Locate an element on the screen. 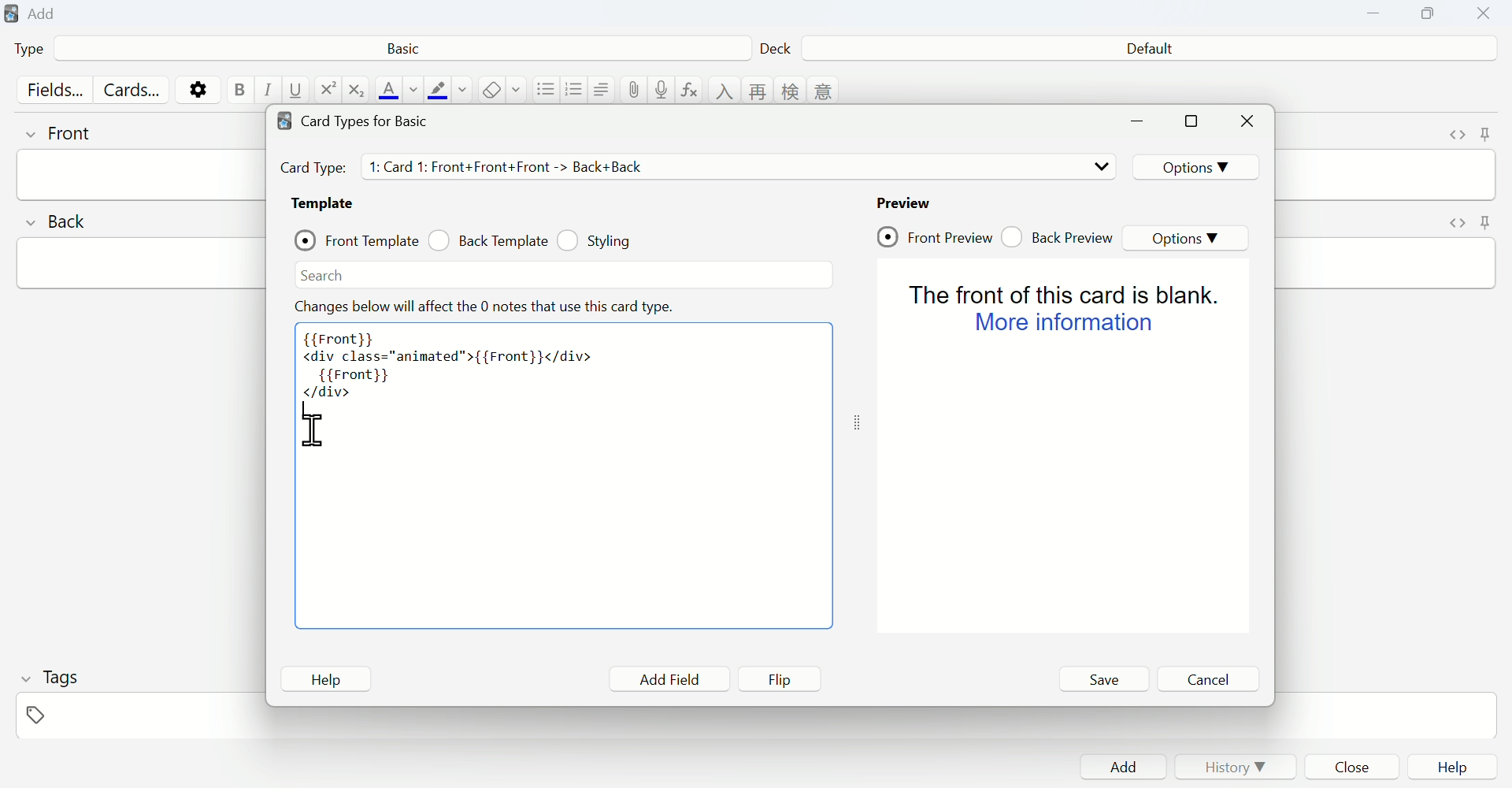  Options is located at coordinates (1185, 238).